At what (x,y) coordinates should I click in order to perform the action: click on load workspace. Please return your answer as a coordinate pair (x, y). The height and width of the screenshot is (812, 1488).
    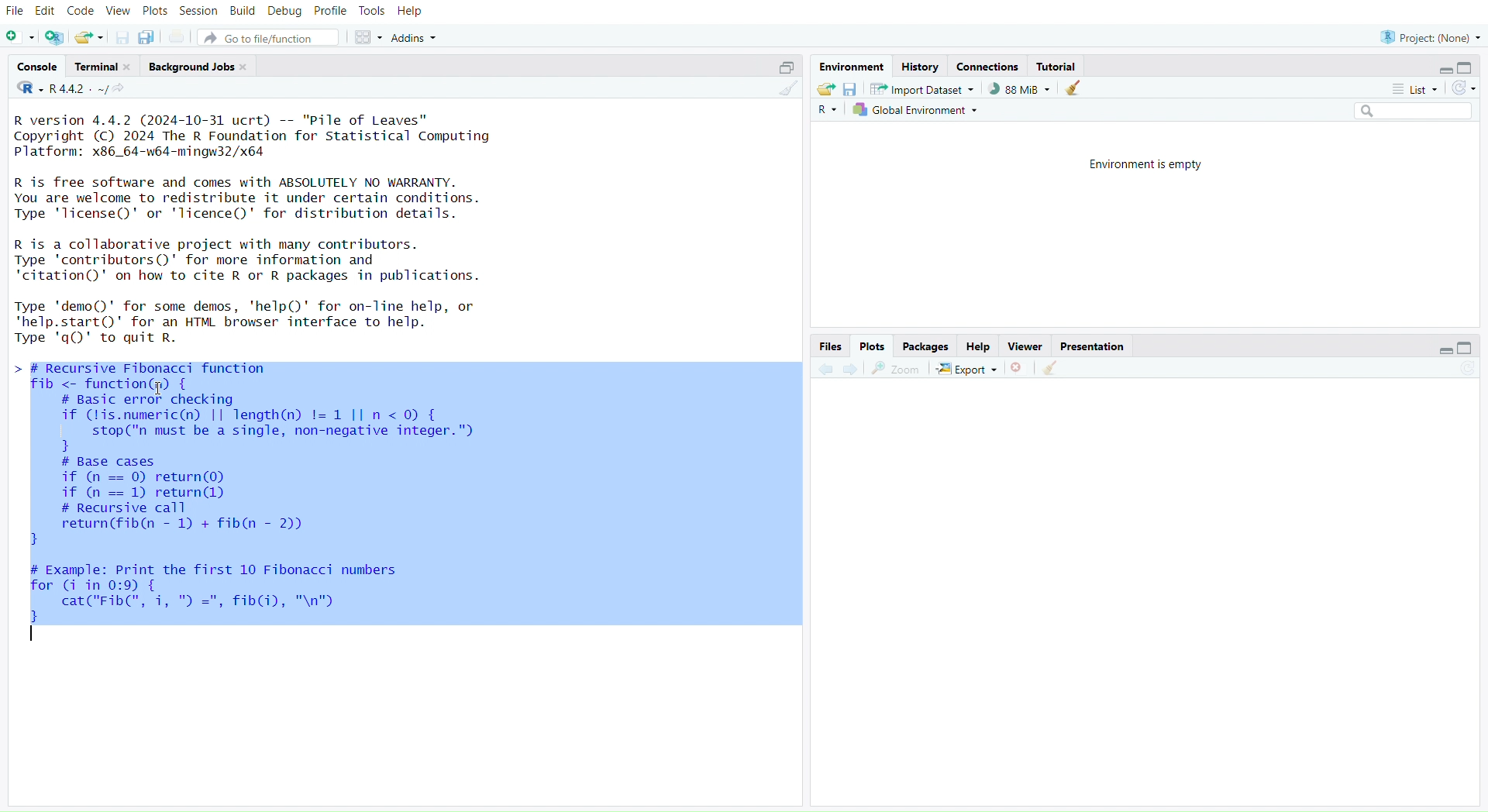
    Looking at the image, I should click on (825, 88).